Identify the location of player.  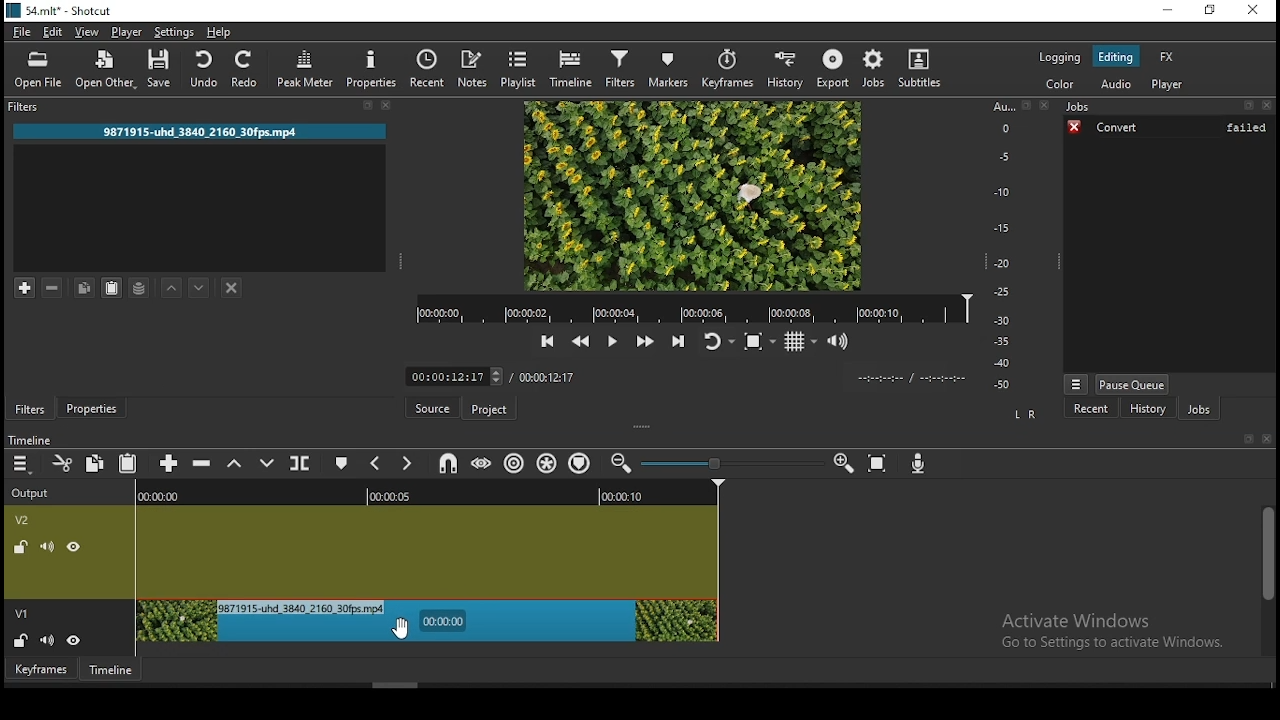
(1168, 83).